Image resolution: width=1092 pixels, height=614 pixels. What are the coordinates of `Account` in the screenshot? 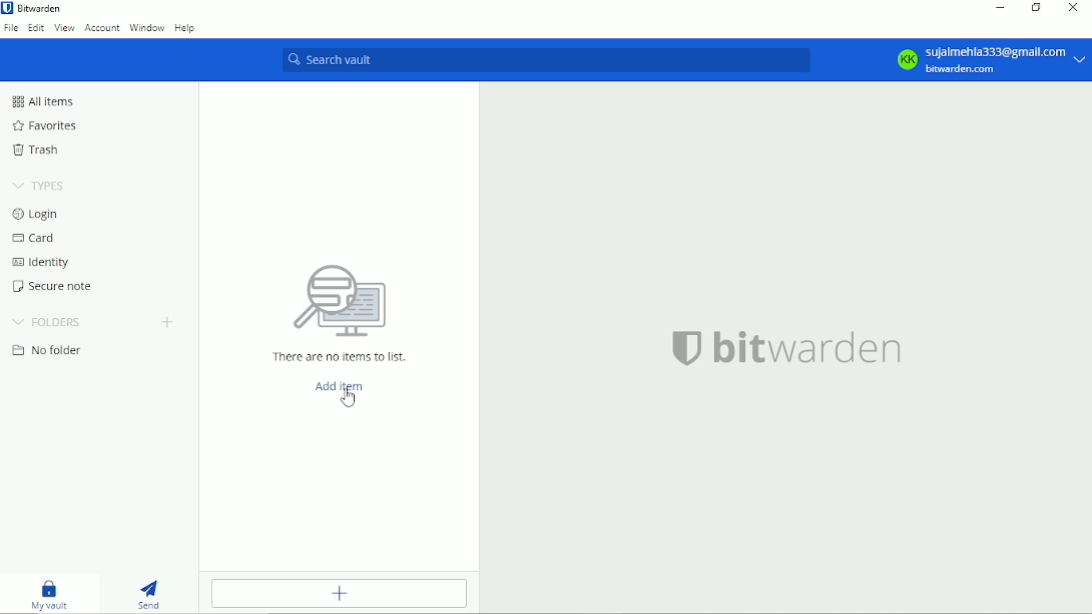 It's located at (103, 28).